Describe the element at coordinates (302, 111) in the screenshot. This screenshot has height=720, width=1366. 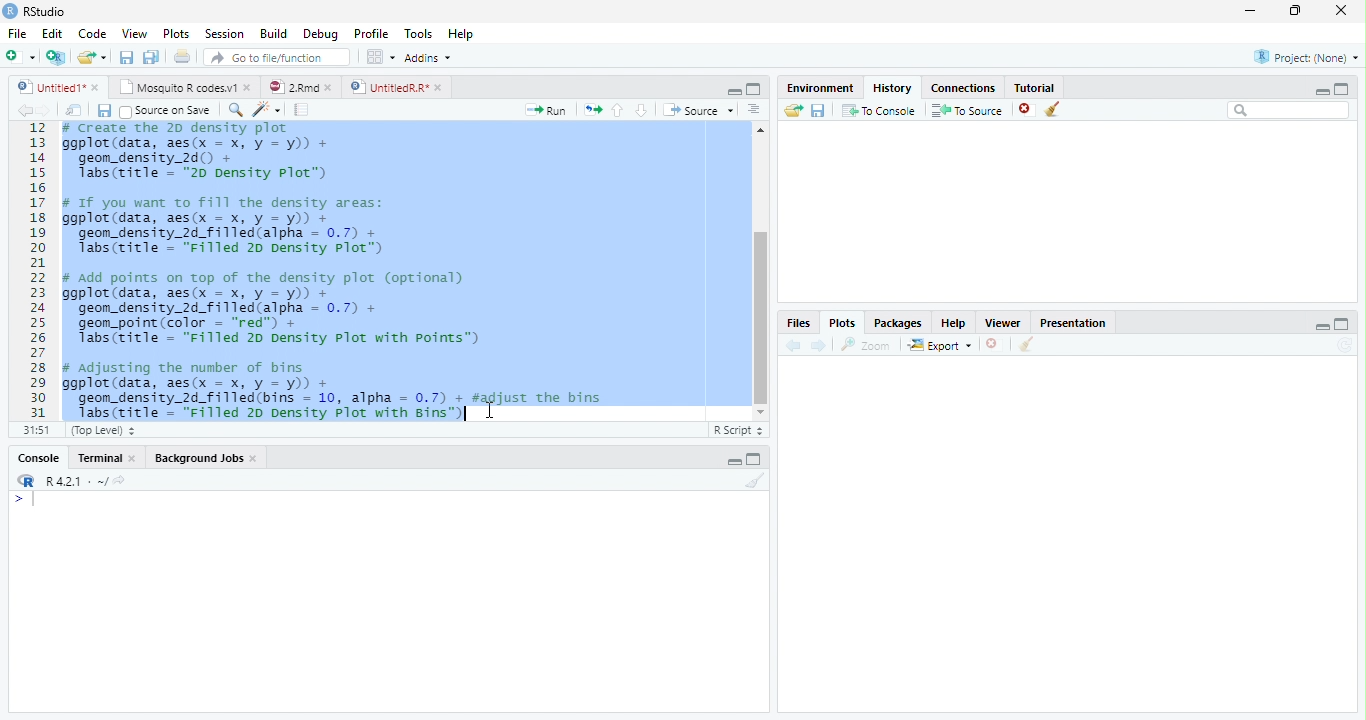
I see `compile report` at that location.